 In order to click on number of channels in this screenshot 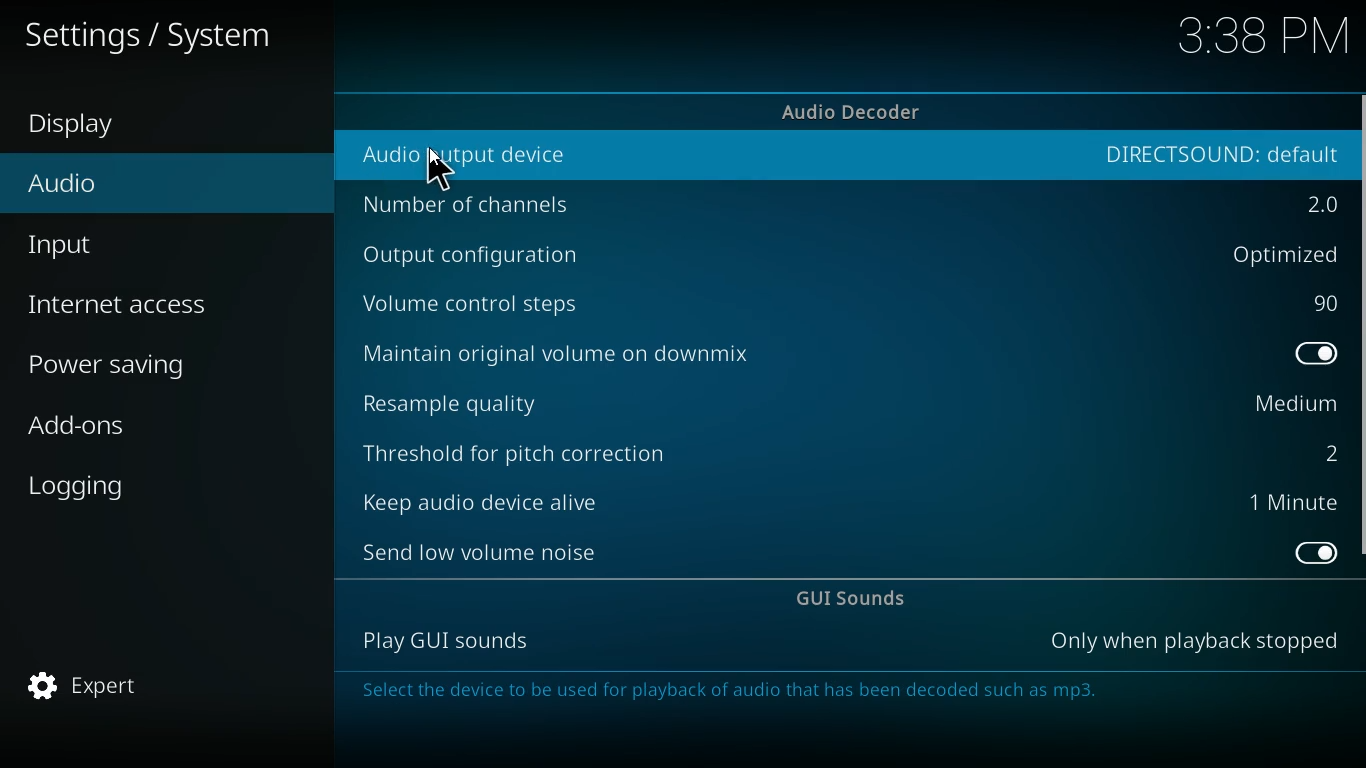, I will do `click(488, 206)`.